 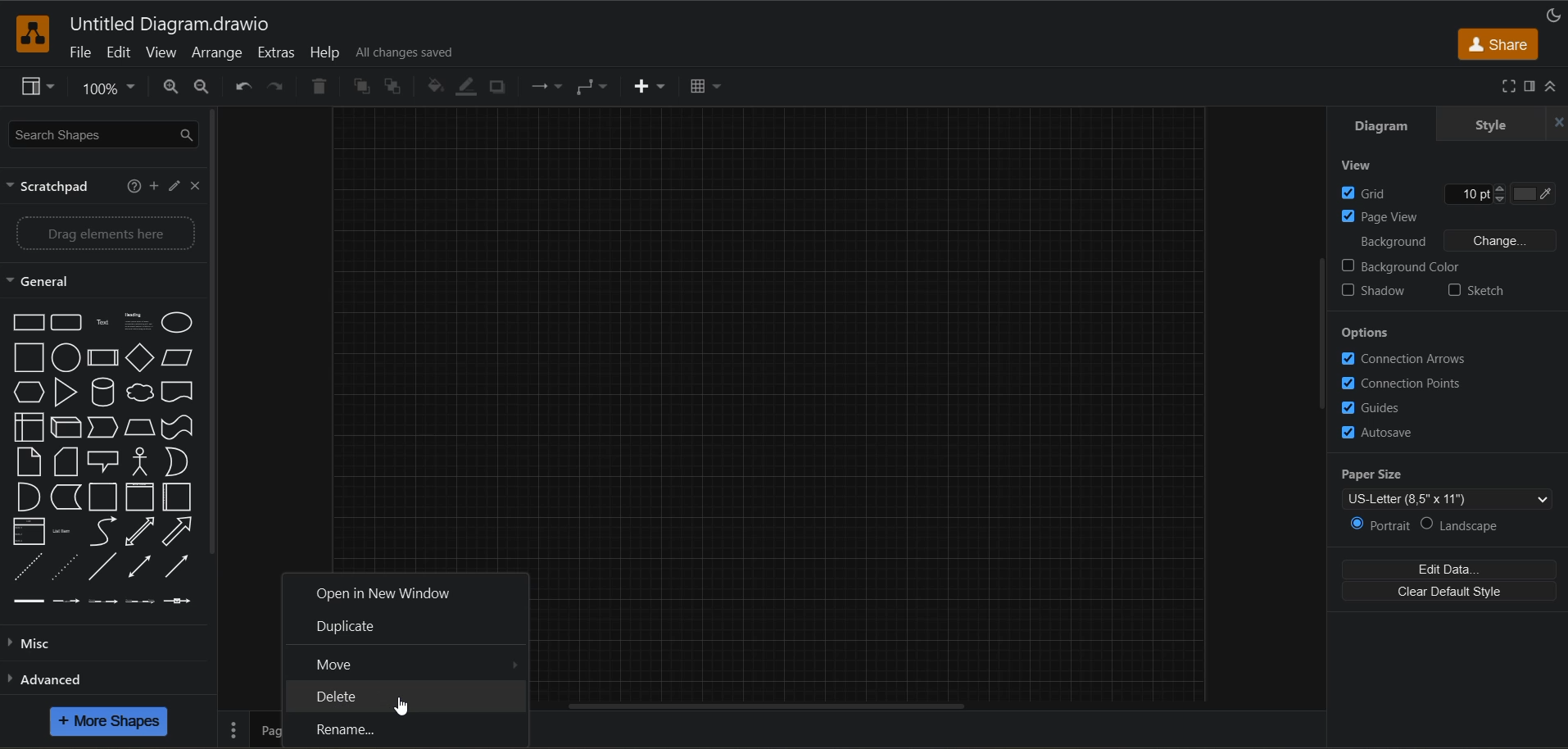 What do you see at coordinates (348, 625) in the screenshot?
I see `duplicate` at bounding box center [348, 625].